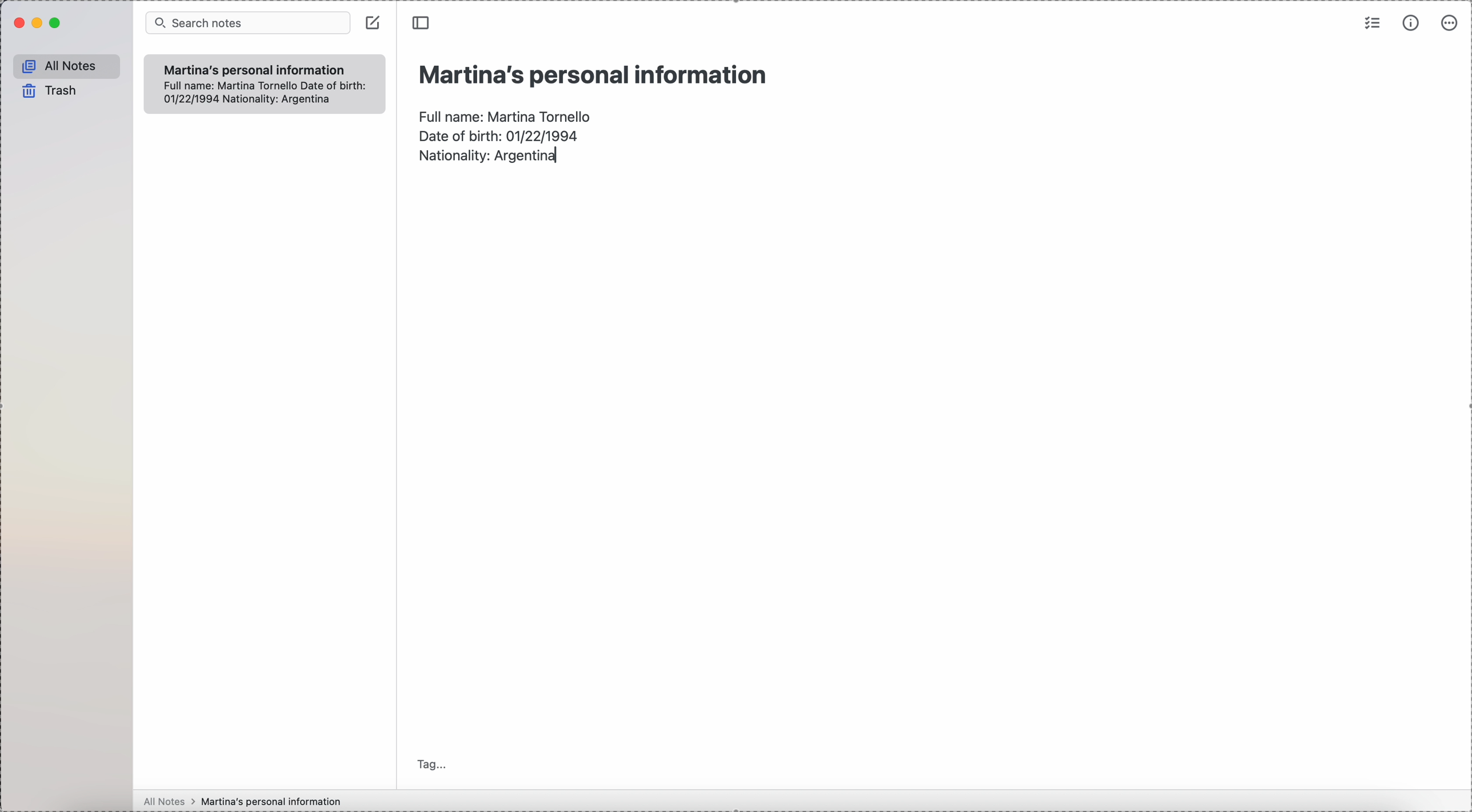 Image resolution: width=1472 pixels, height=812 pixels. Describe the element at coordinates (591, 74) in the screenshot. I see `title: Martina's personal information` at that location.